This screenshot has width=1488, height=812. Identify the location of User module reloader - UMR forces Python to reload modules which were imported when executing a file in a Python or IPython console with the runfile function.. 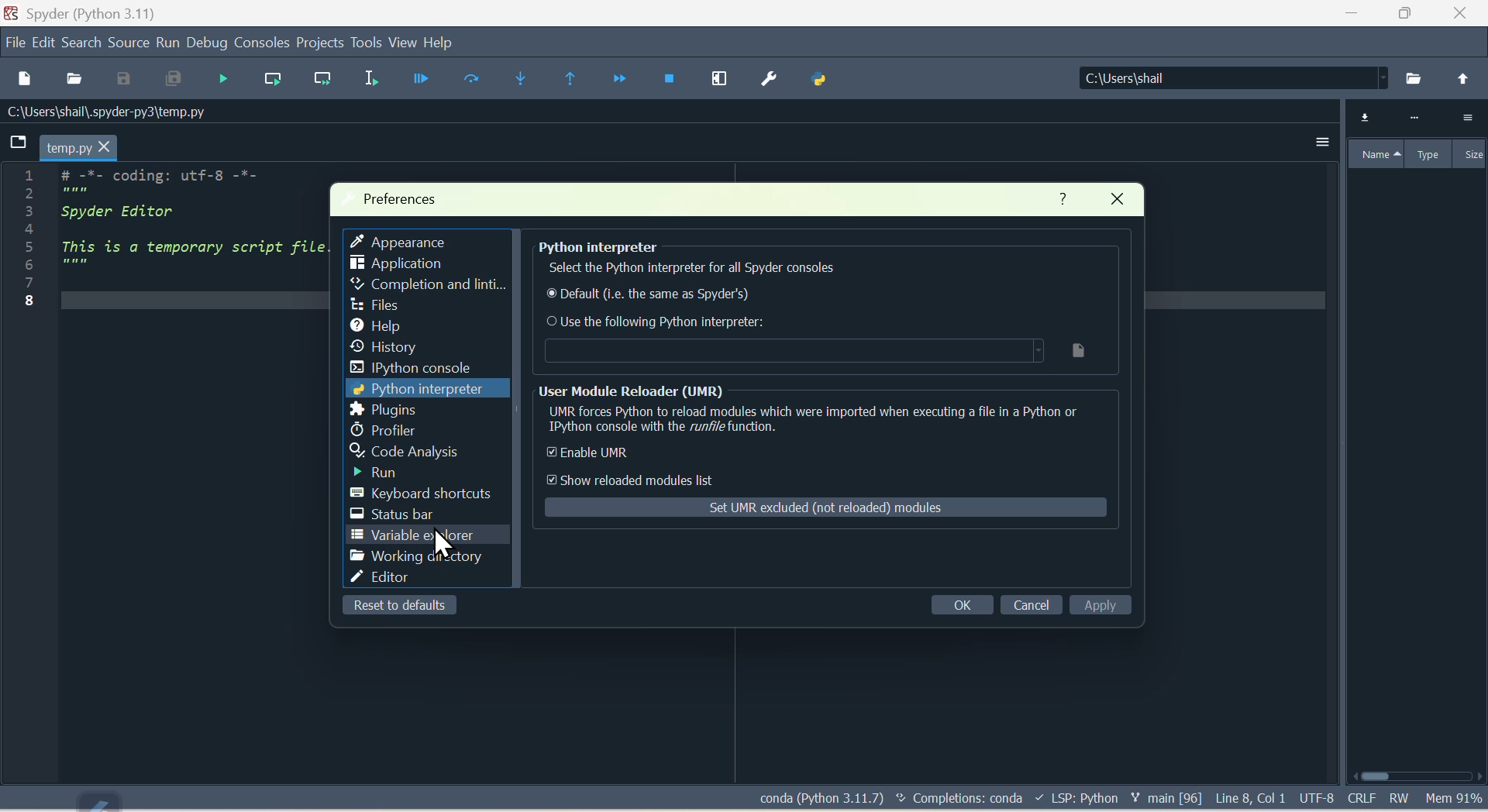
(818, 411).